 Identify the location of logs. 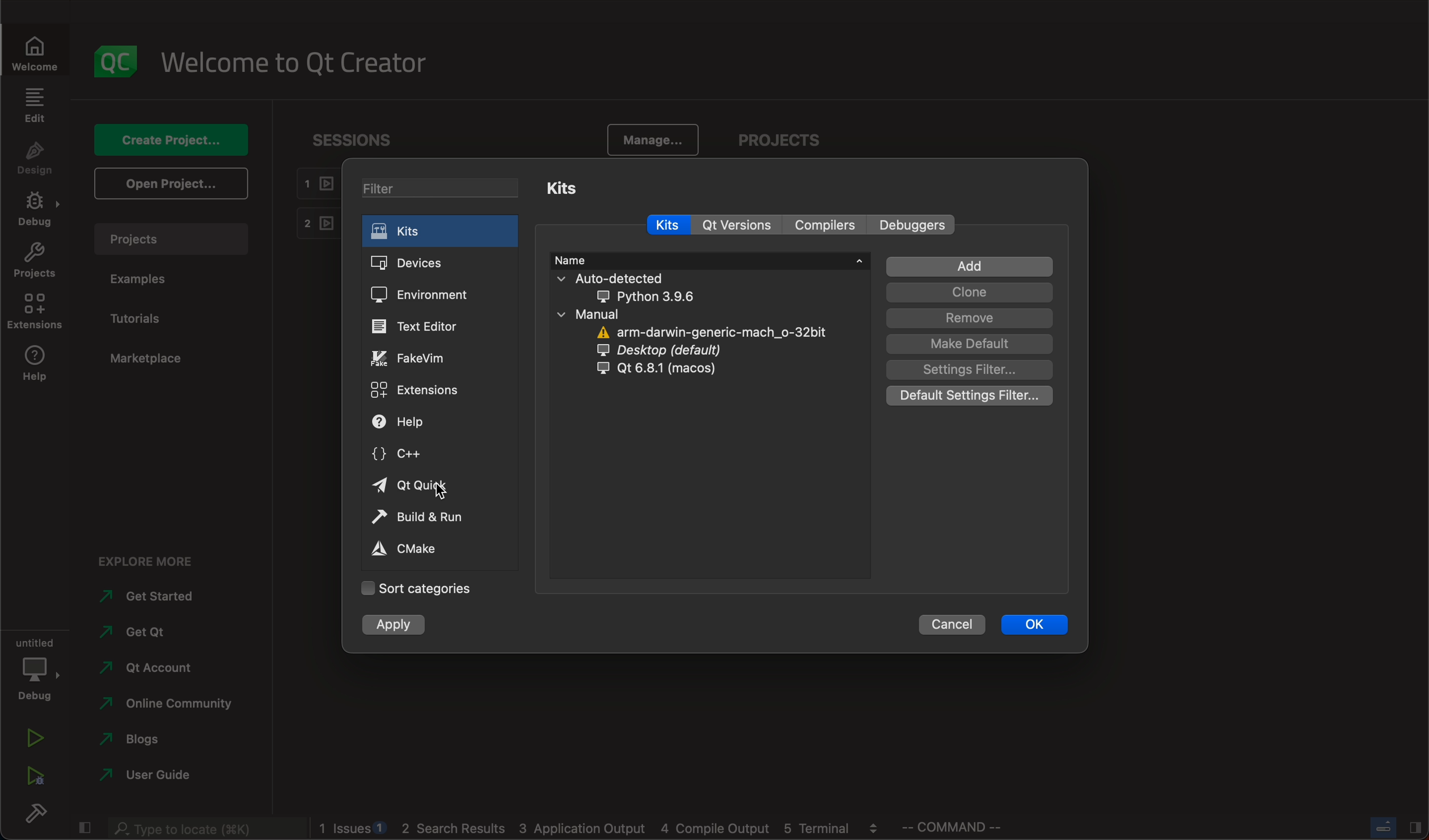
(603, 830).